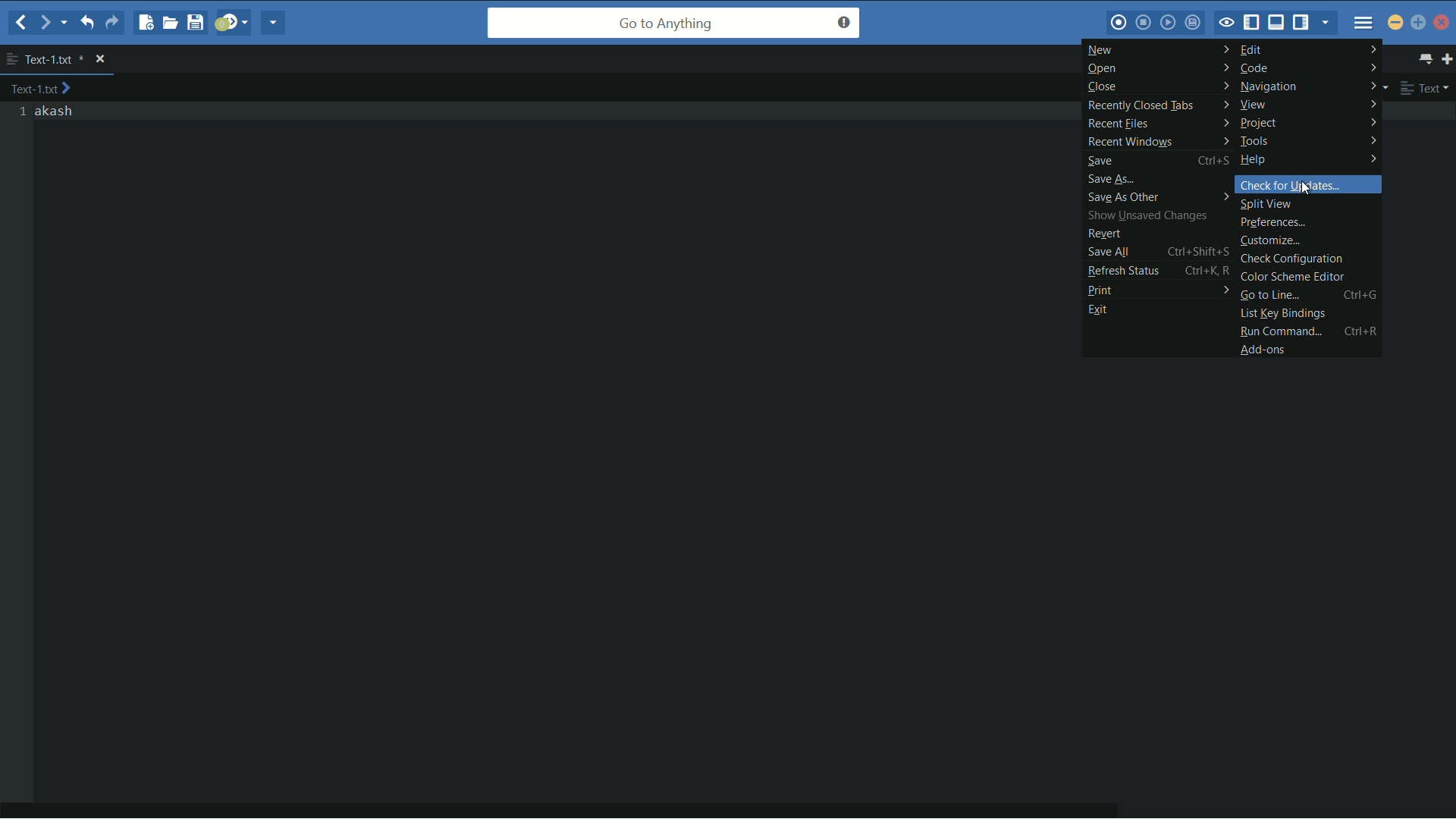 The height and width of the screenshot is (819, 1456). Describe the element at coordinates (1194, 21) in the screenshot. I see `save macro to toolbox` at that location.